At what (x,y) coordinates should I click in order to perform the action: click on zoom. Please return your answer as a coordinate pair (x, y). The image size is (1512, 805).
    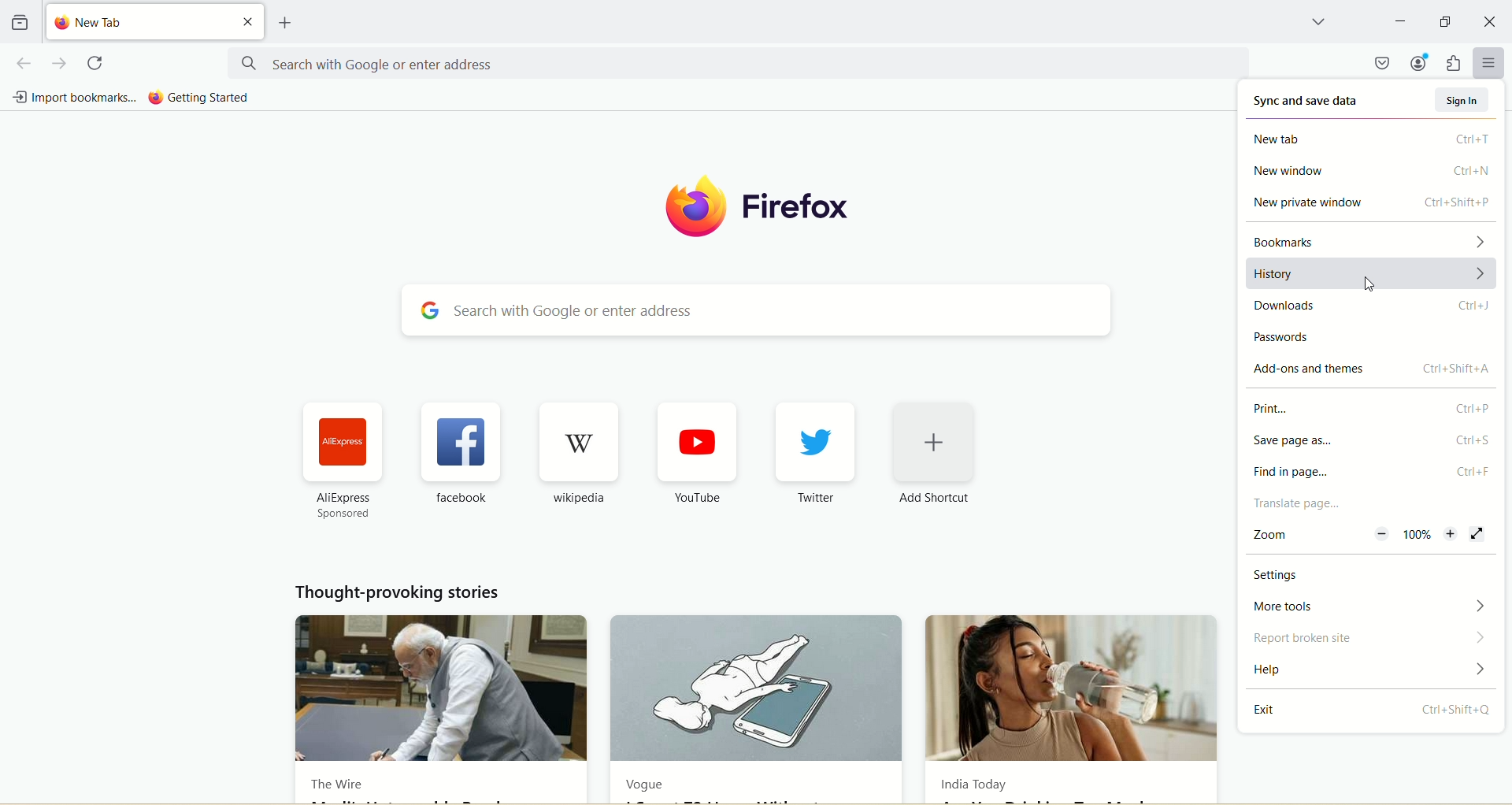
    Looking at the image, I should click on (1278, 533).